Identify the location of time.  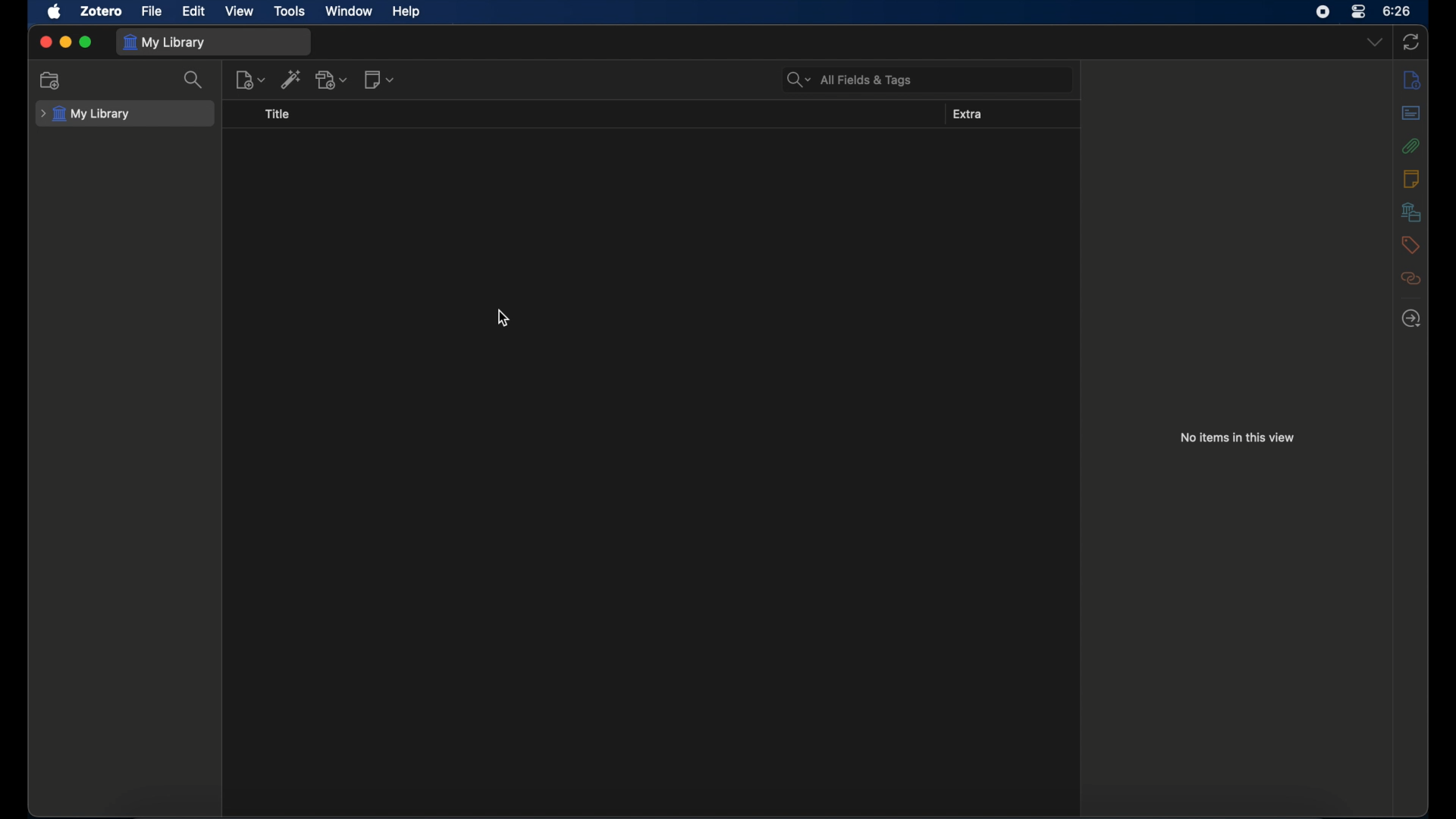
(1398, 10).